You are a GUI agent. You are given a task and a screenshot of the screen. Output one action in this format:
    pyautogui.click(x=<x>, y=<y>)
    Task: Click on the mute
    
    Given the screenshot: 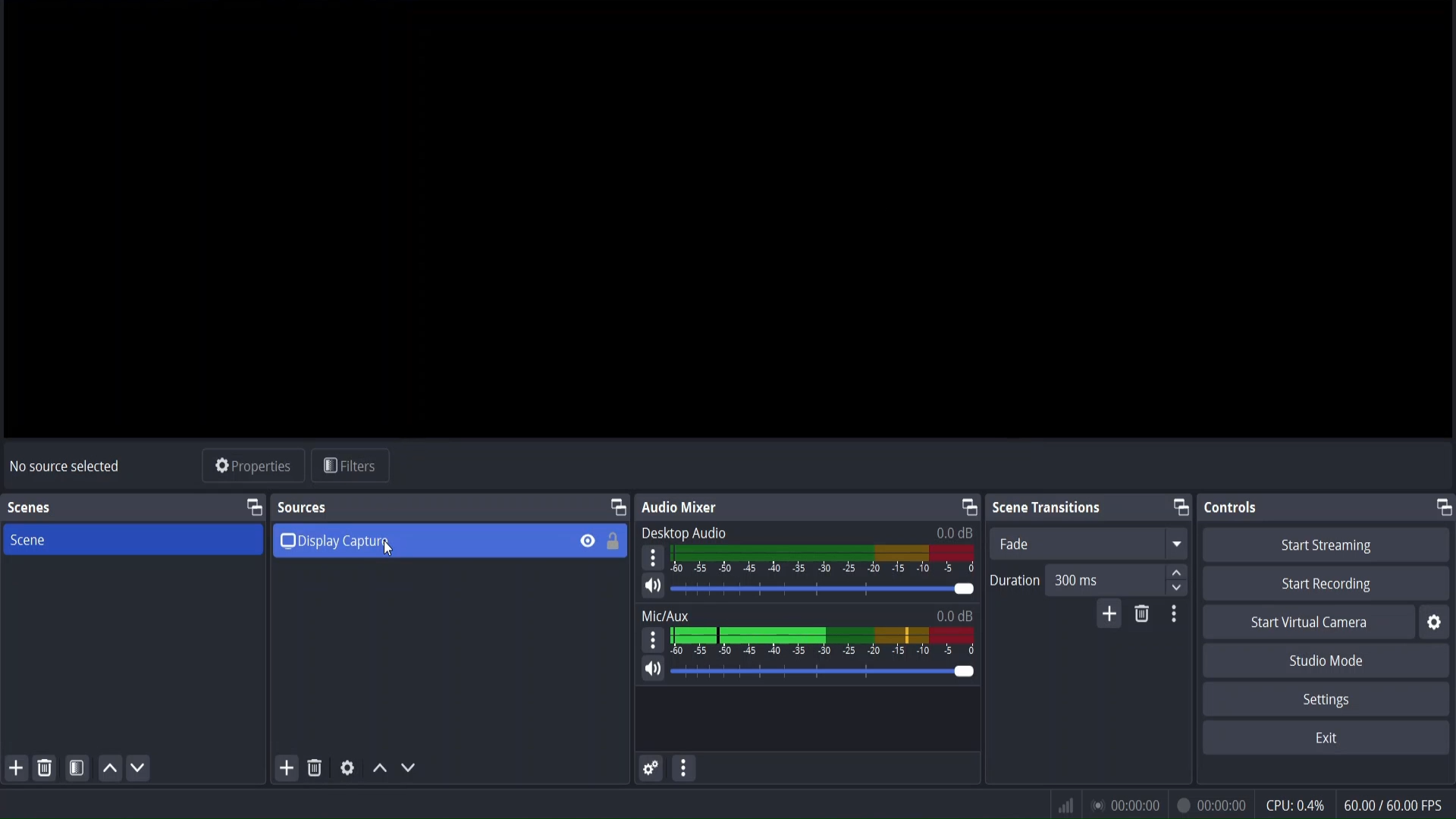 What is the action you would take?
    pyautogui.click(x=652, y=586)
    